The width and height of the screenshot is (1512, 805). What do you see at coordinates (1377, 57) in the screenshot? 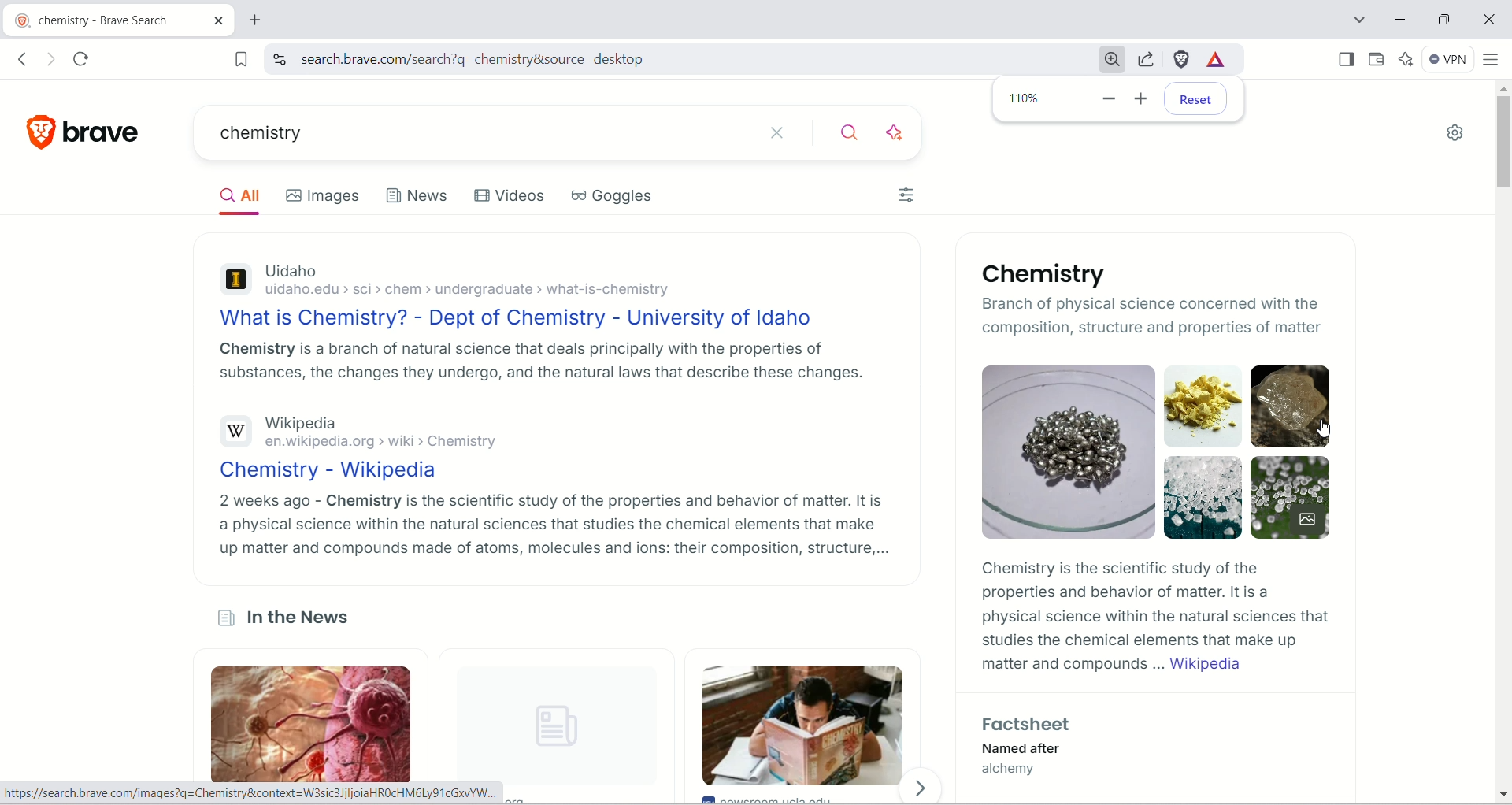
I see `wallet` at bounding box center [1377, 57].